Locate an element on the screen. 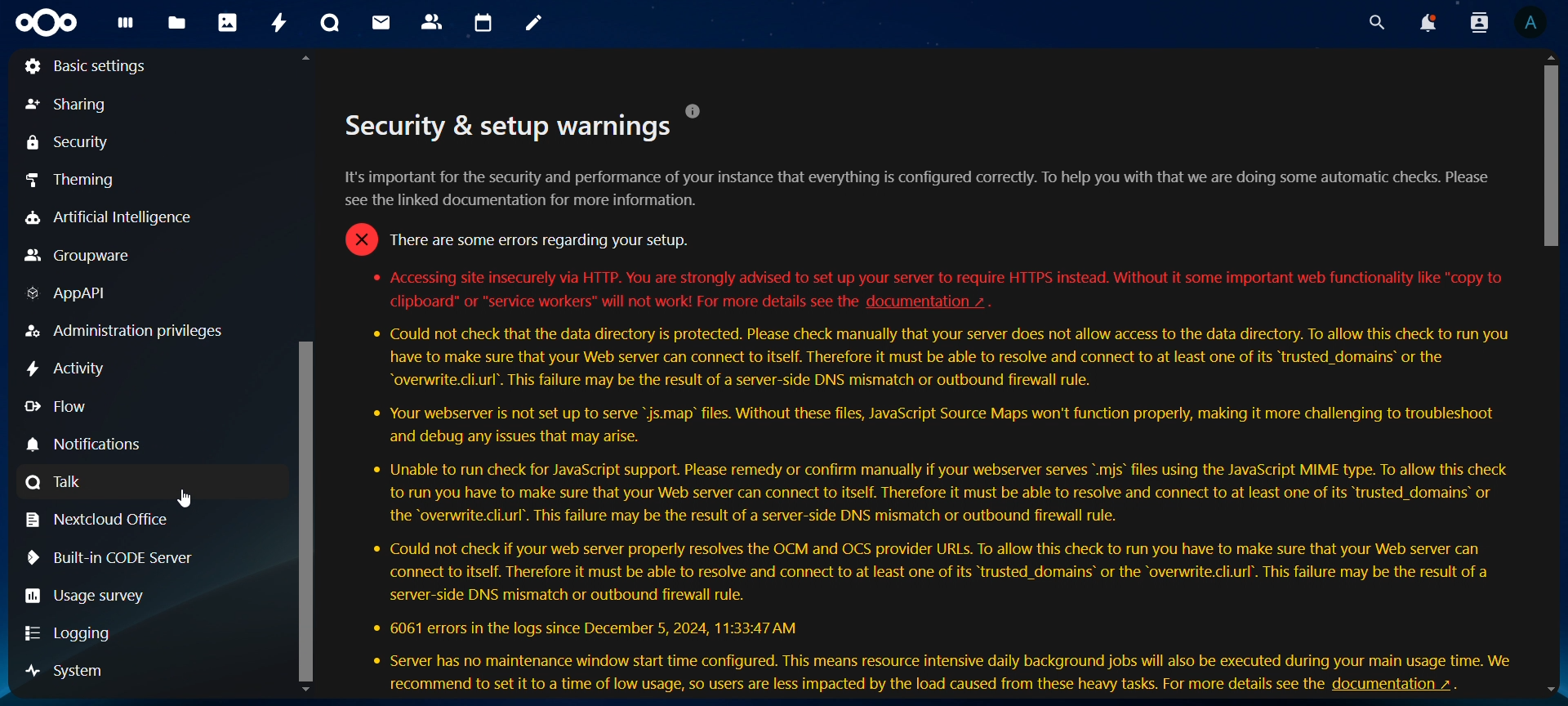  * Your webserver is not set up to serve "js.map’ files. Without these files, JavaScript Source Maps won't function properly, making it more challenging to troubleshoot
and debug any issues that may arise. is located at coordinates (938, 426).